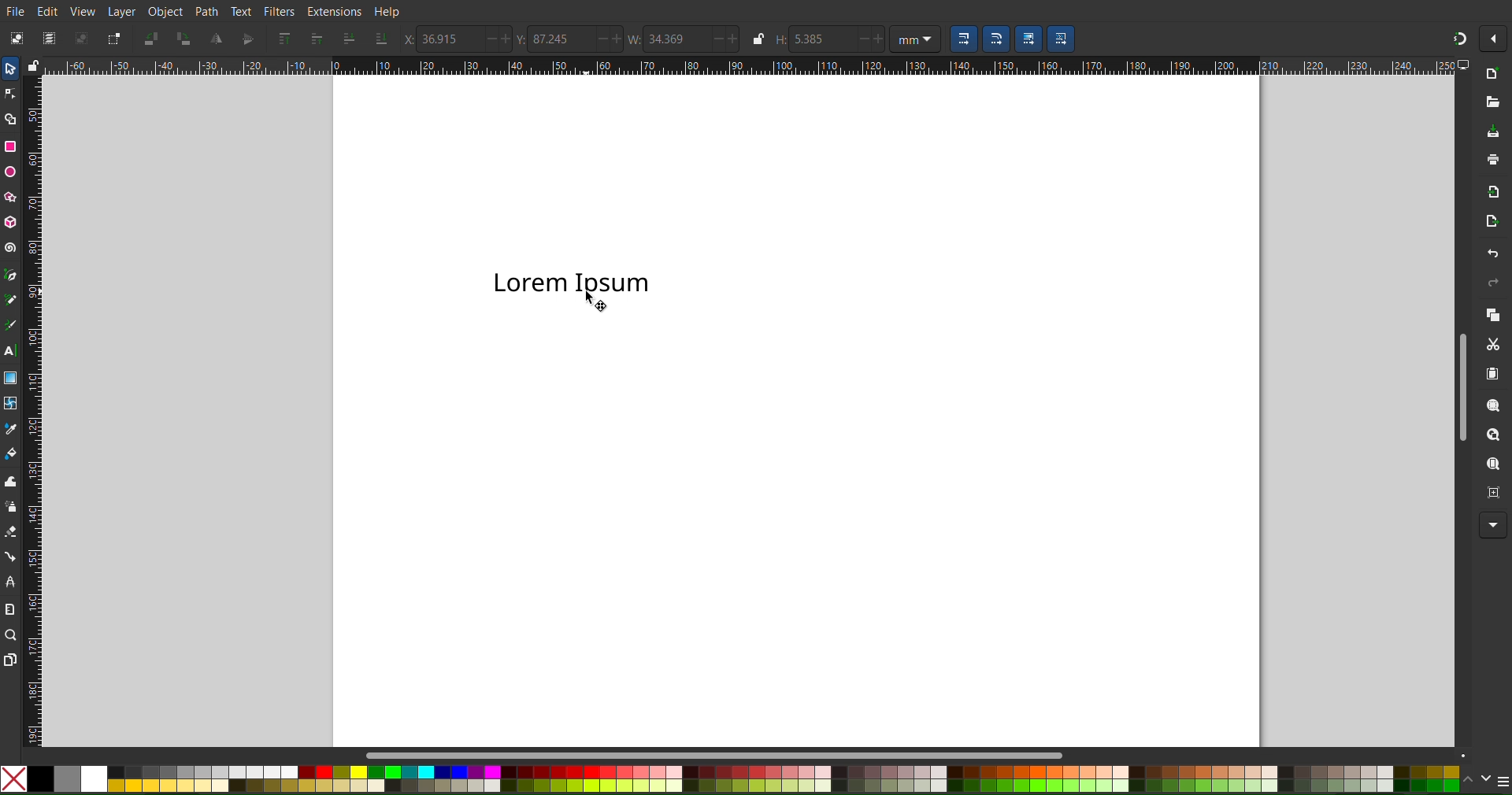  I want to click on Spiral, so click(11, 248).